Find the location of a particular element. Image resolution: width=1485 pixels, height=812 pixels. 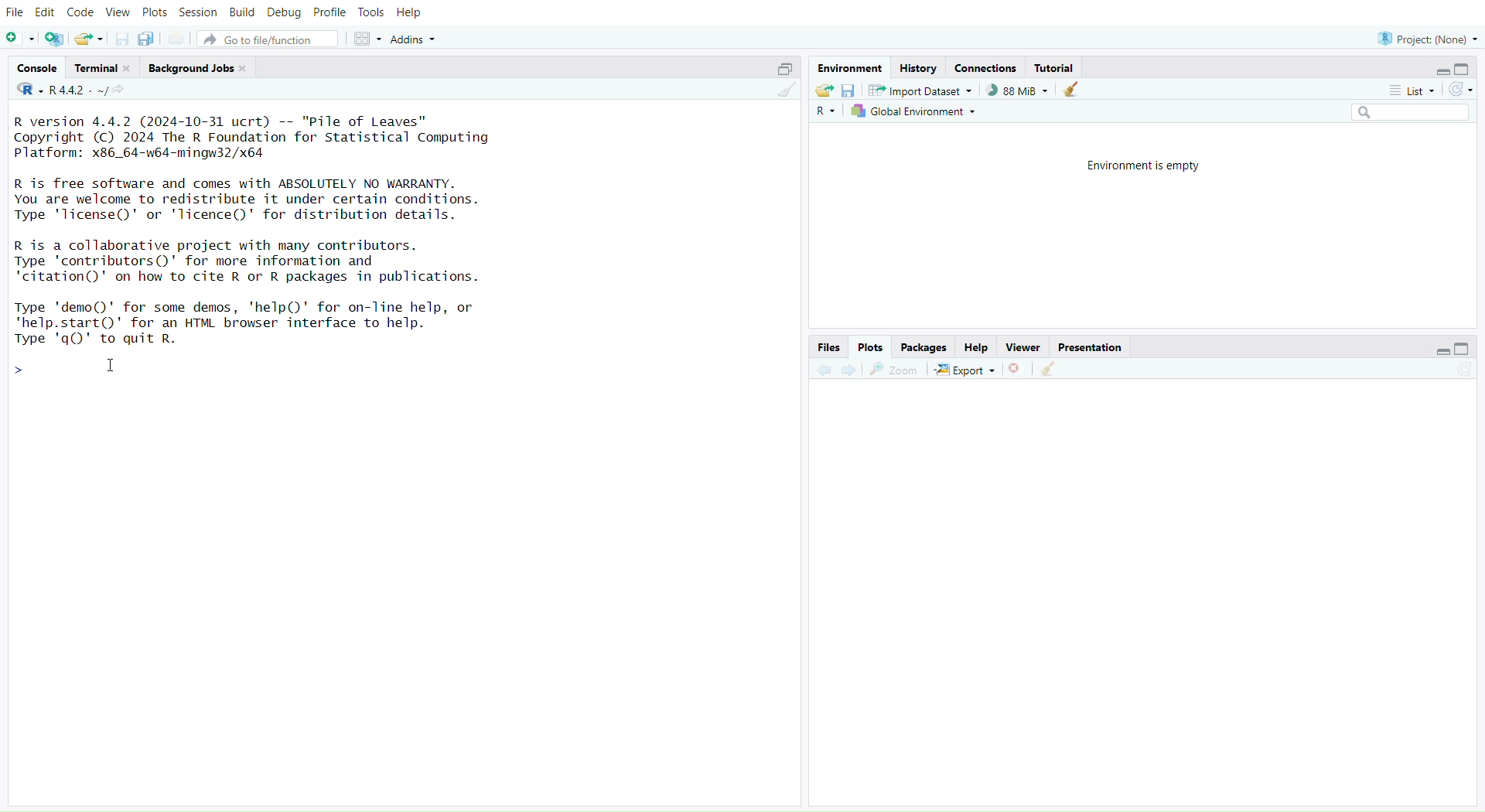

terminal is located at coordinates (103, 67).